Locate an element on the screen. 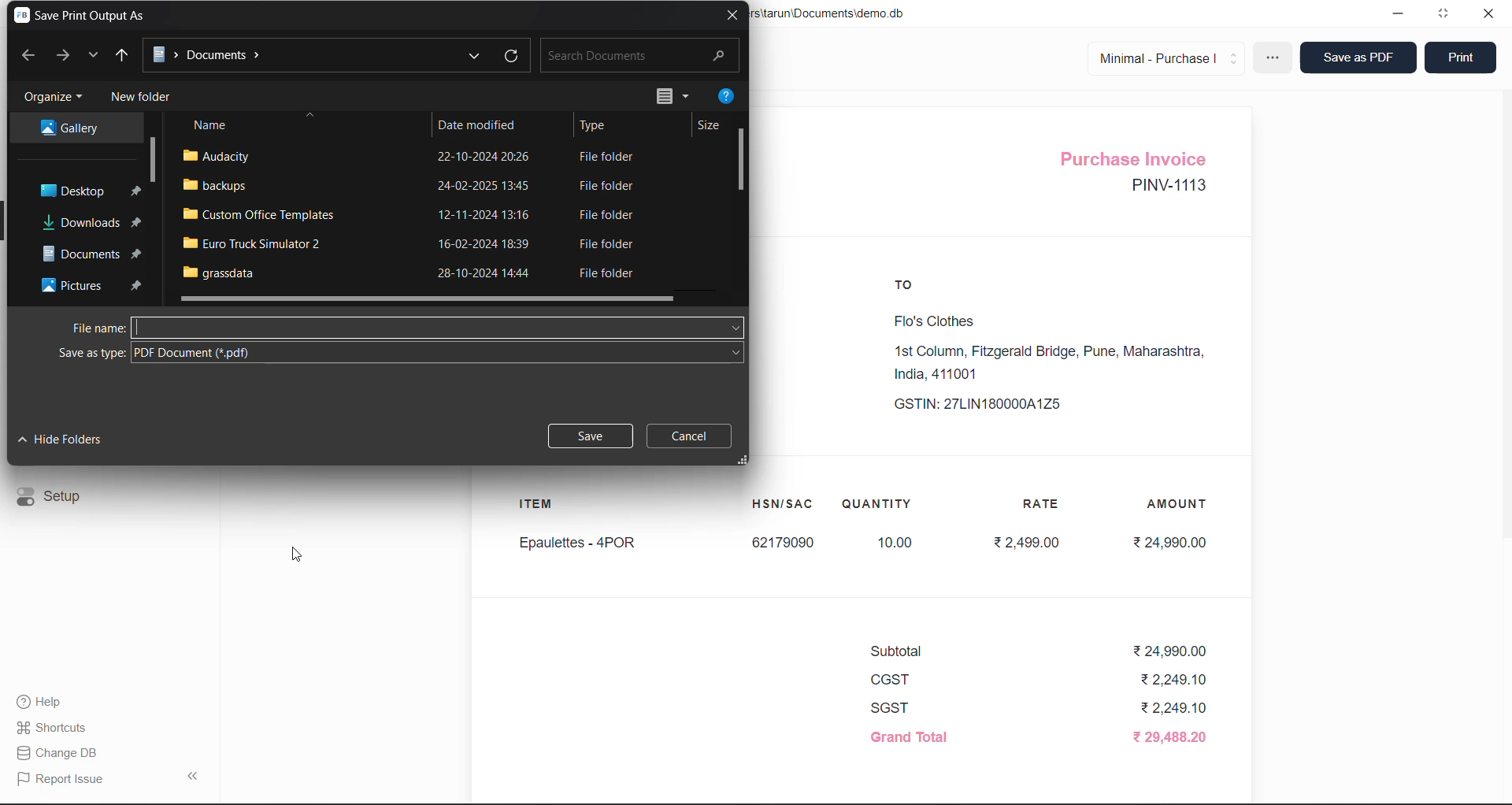  PDF Document (*.pdf) is located at coordinates (193, 354).